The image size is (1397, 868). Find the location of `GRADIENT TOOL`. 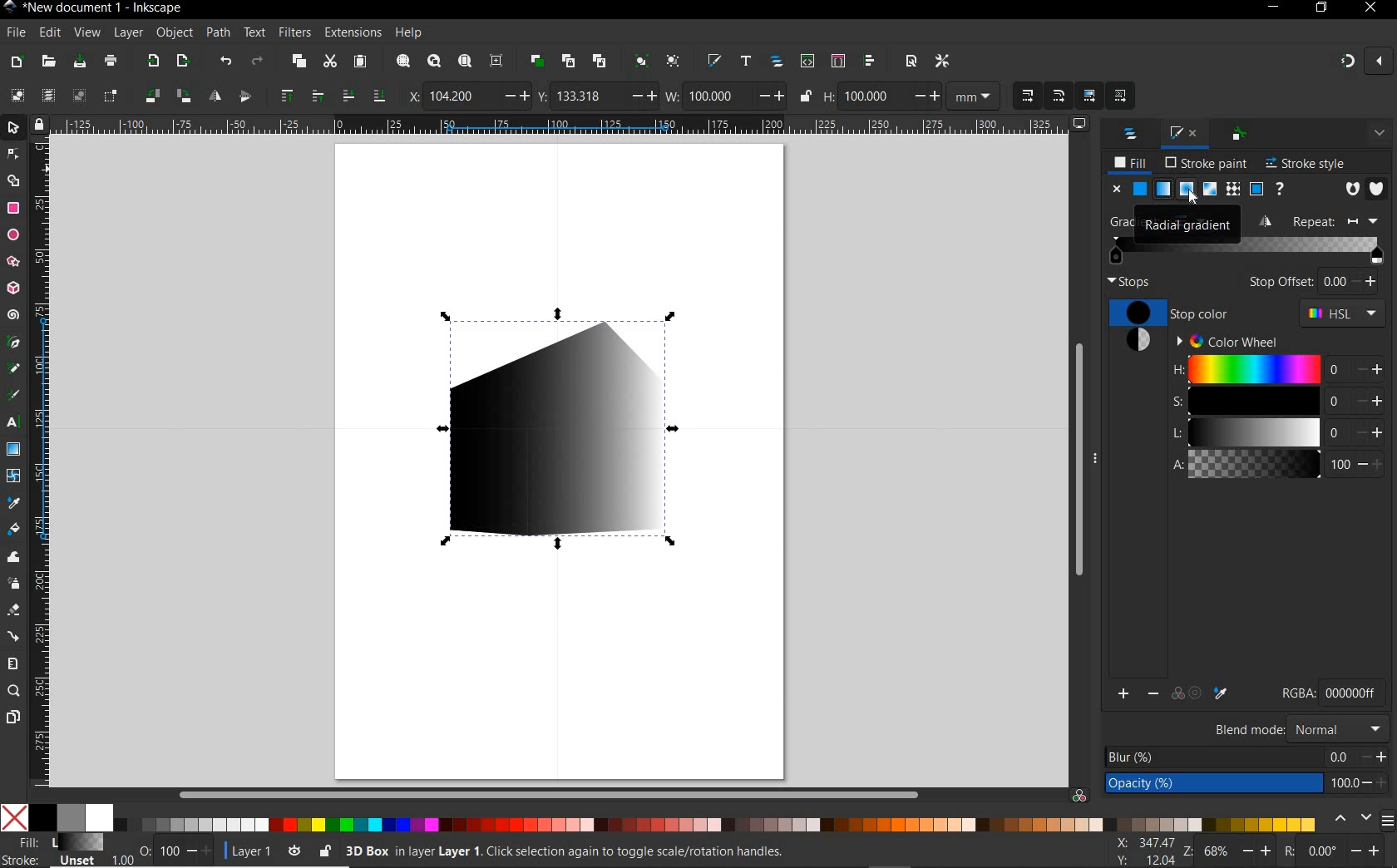

GRADIENT TOOL is located at coordinates (14, 451).